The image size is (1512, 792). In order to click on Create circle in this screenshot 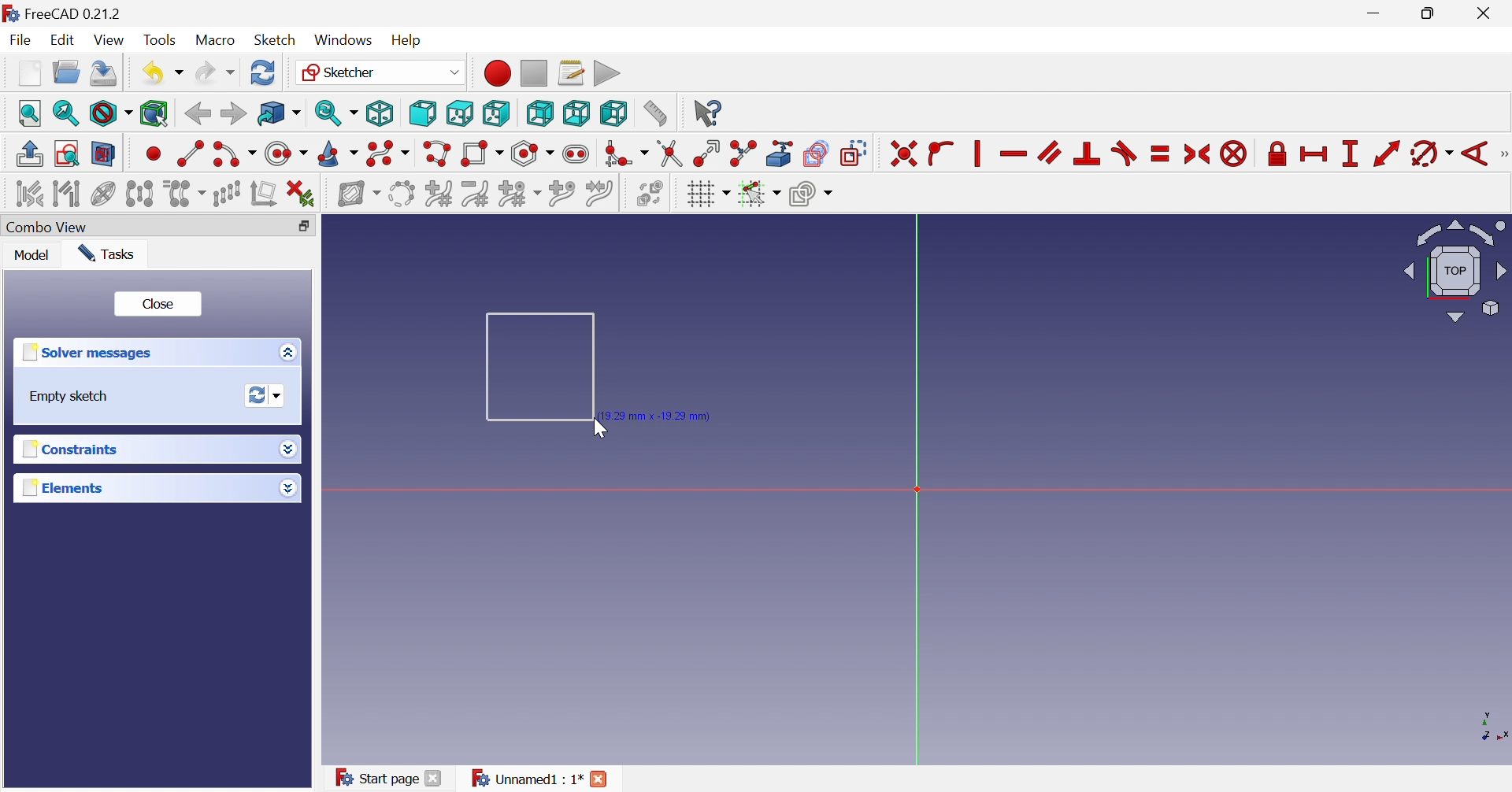, I will do `click(285, 154)`.